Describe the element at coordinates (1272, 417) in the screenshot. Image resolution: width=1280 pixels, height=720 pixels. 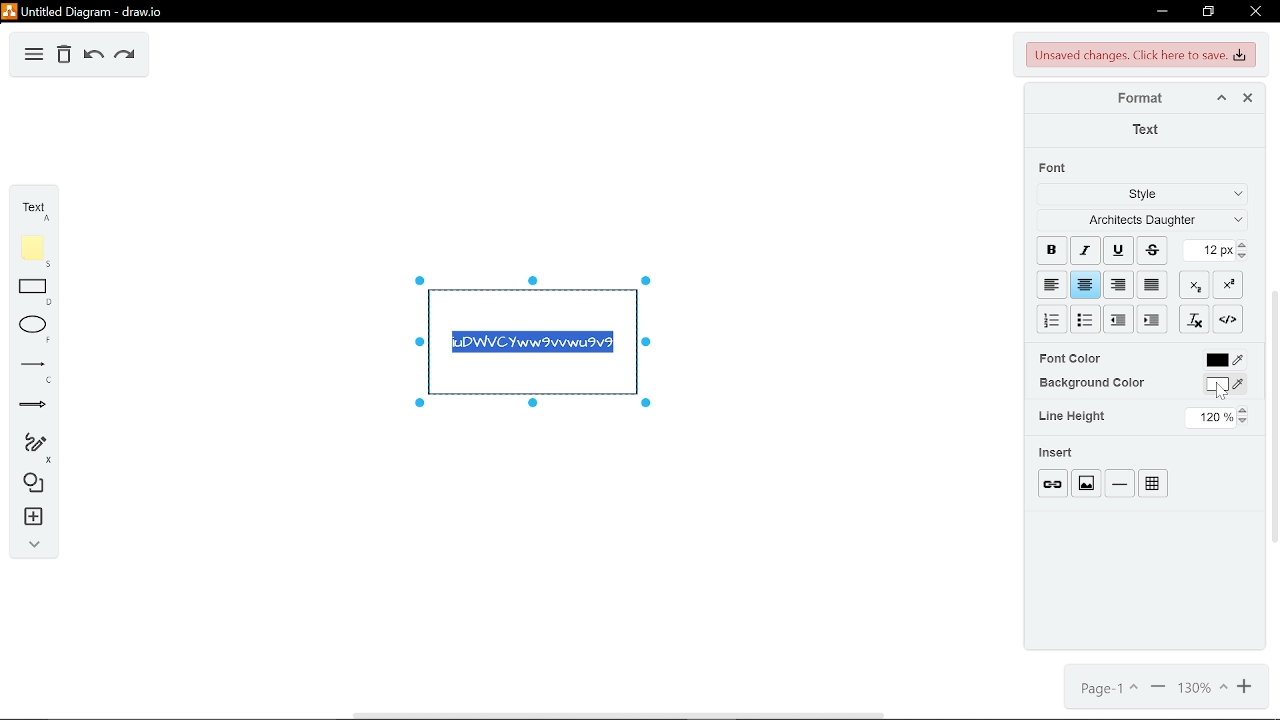
I see `vertical scrollbar` at that location.